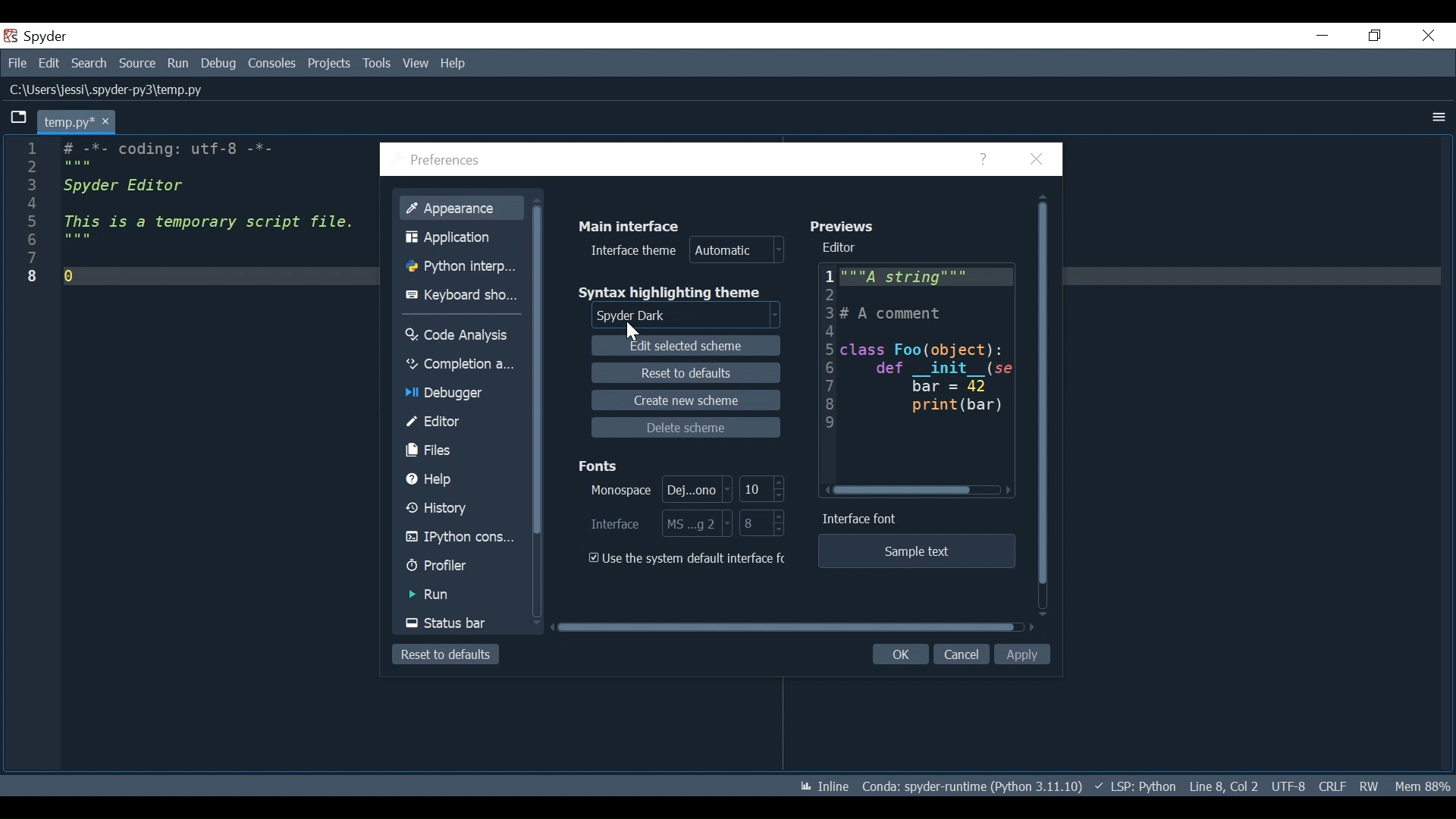 The width and height of the screenshot is (1456, 819). I want to click on Edit Selected scheme, so click(686, 347).